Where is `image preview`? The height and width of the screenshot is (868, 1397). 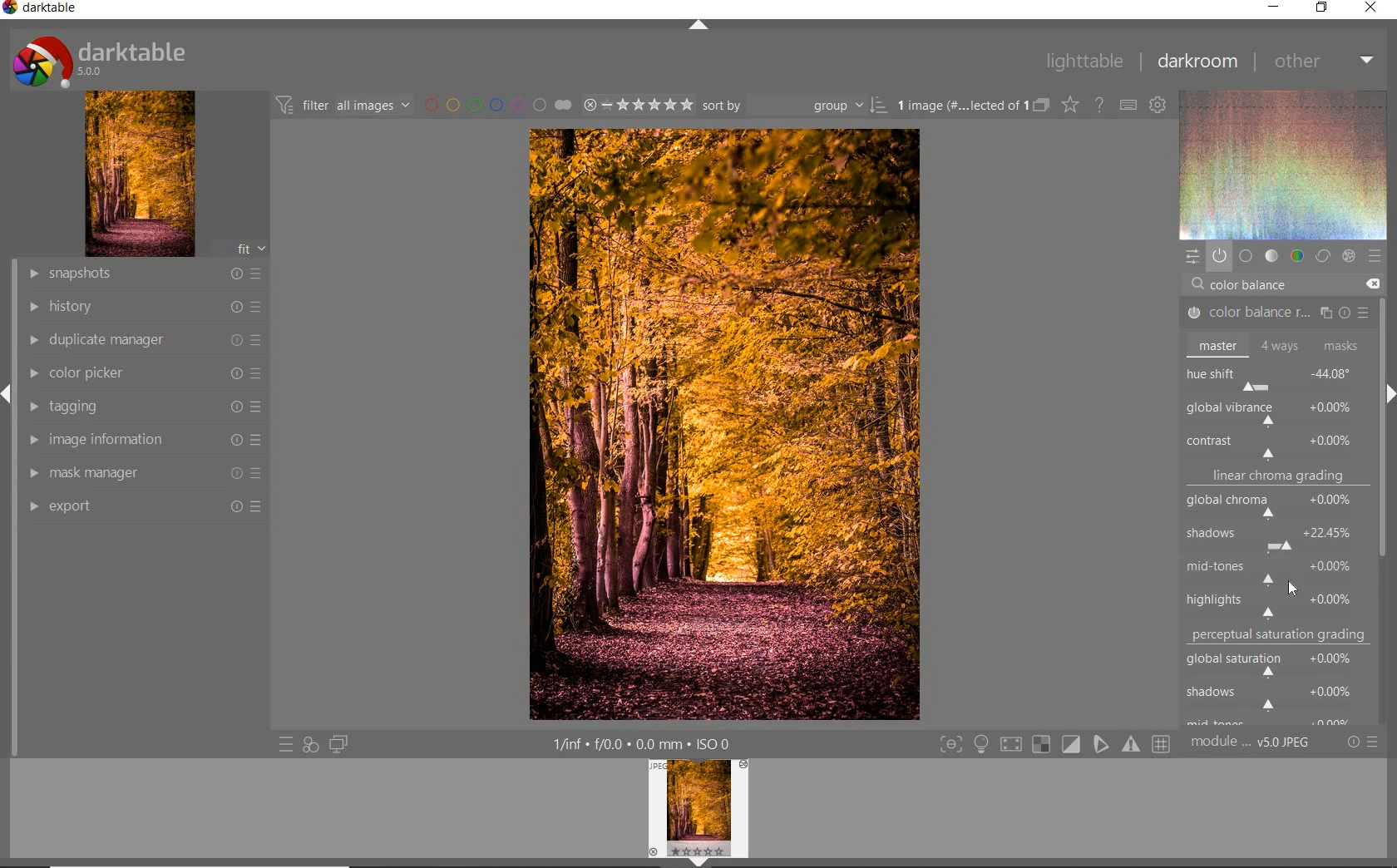 image preview is located at coordinates (698, 814).